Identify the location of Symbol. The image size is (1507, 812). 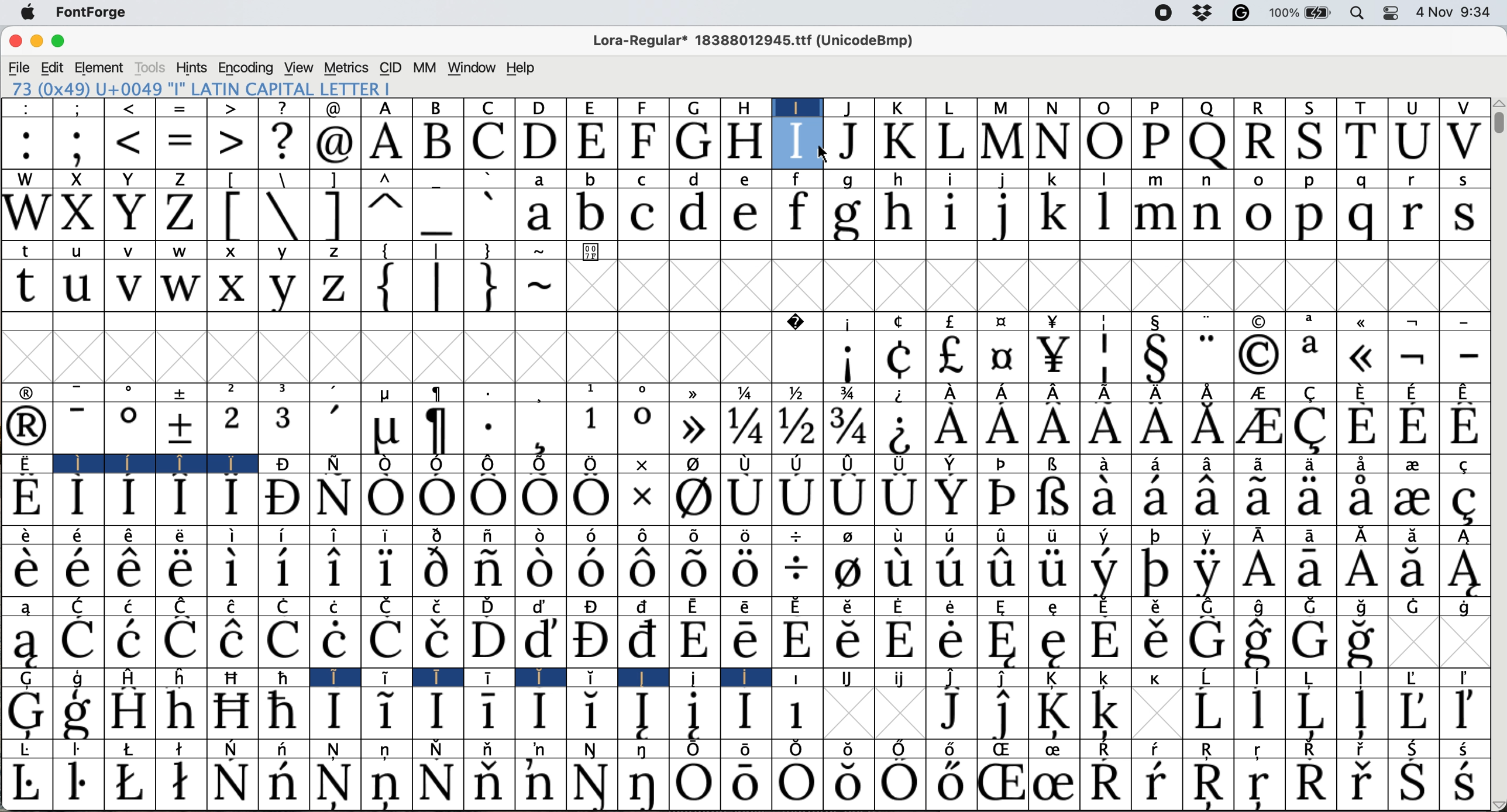
(1360, 356).